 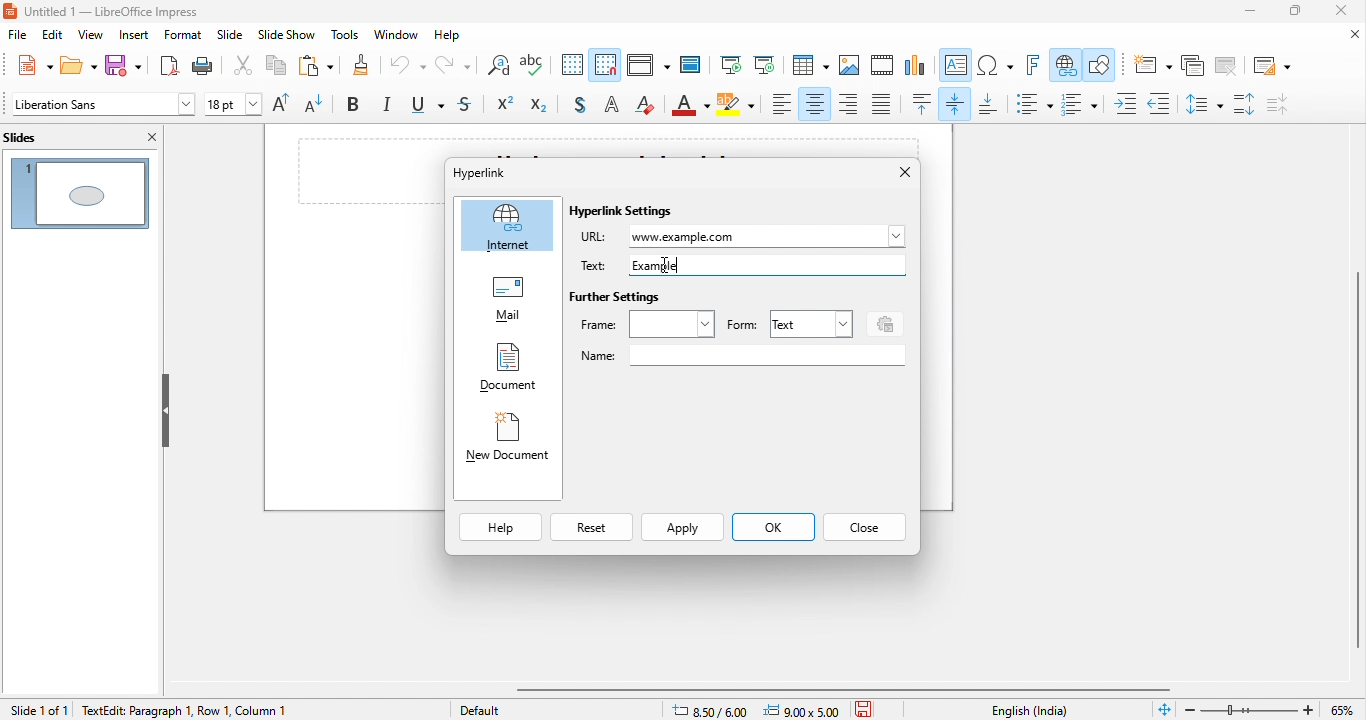 I want to click on events, so click(x=882, y=322).